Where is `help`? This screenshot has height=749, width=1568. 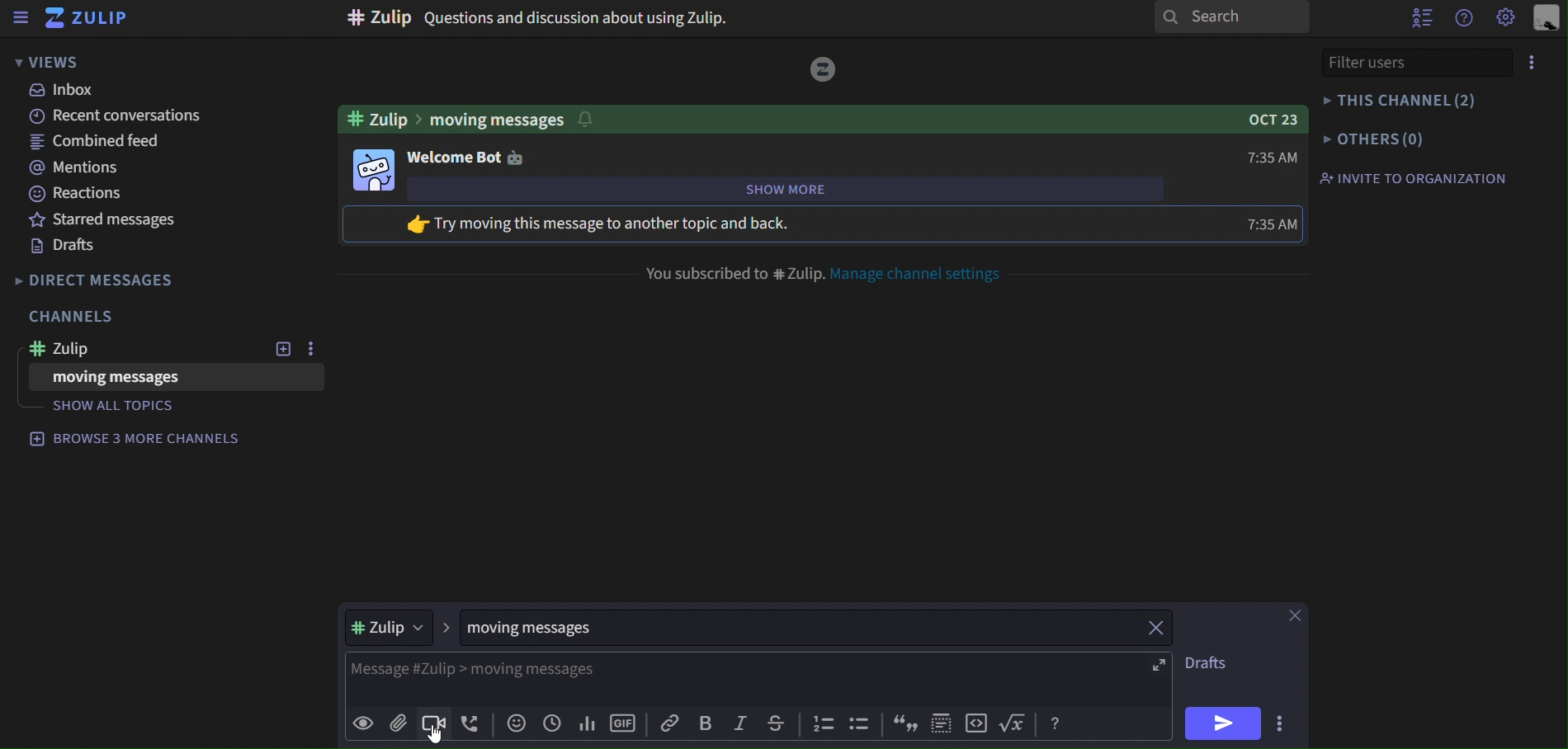 help is located at coordinates (1055, 722).